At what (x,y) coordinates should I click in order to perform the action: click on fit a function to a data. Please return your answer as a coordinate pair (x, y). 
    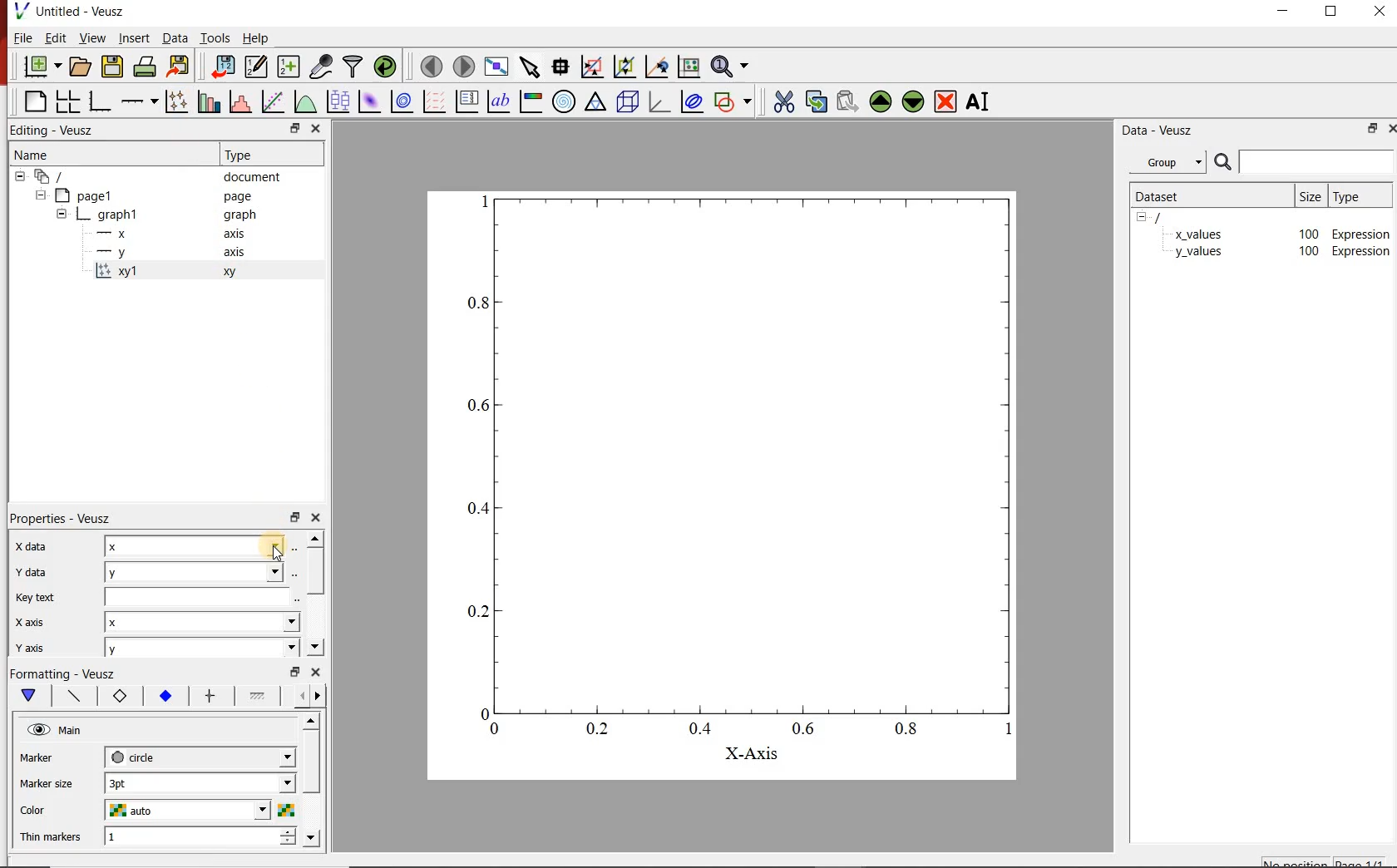
    Looking at the image, I should click on (273, 101).